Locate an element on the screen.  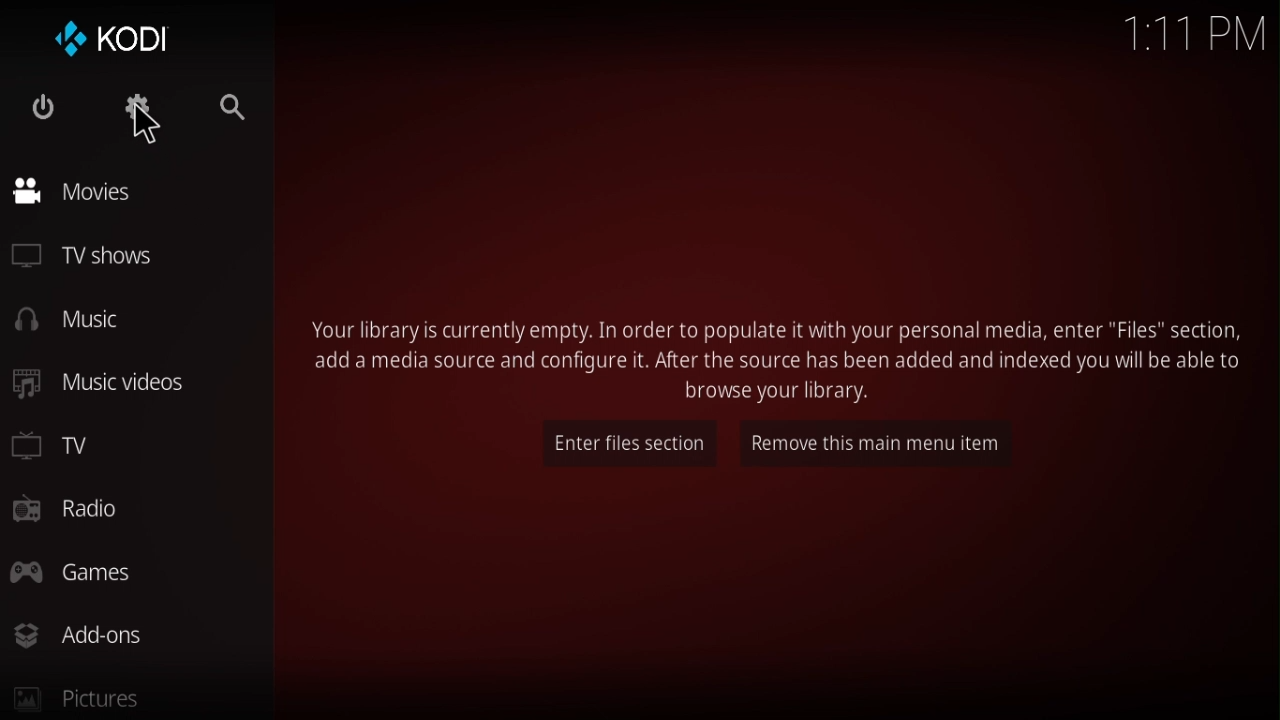
games is located at coordinates (77, 571).